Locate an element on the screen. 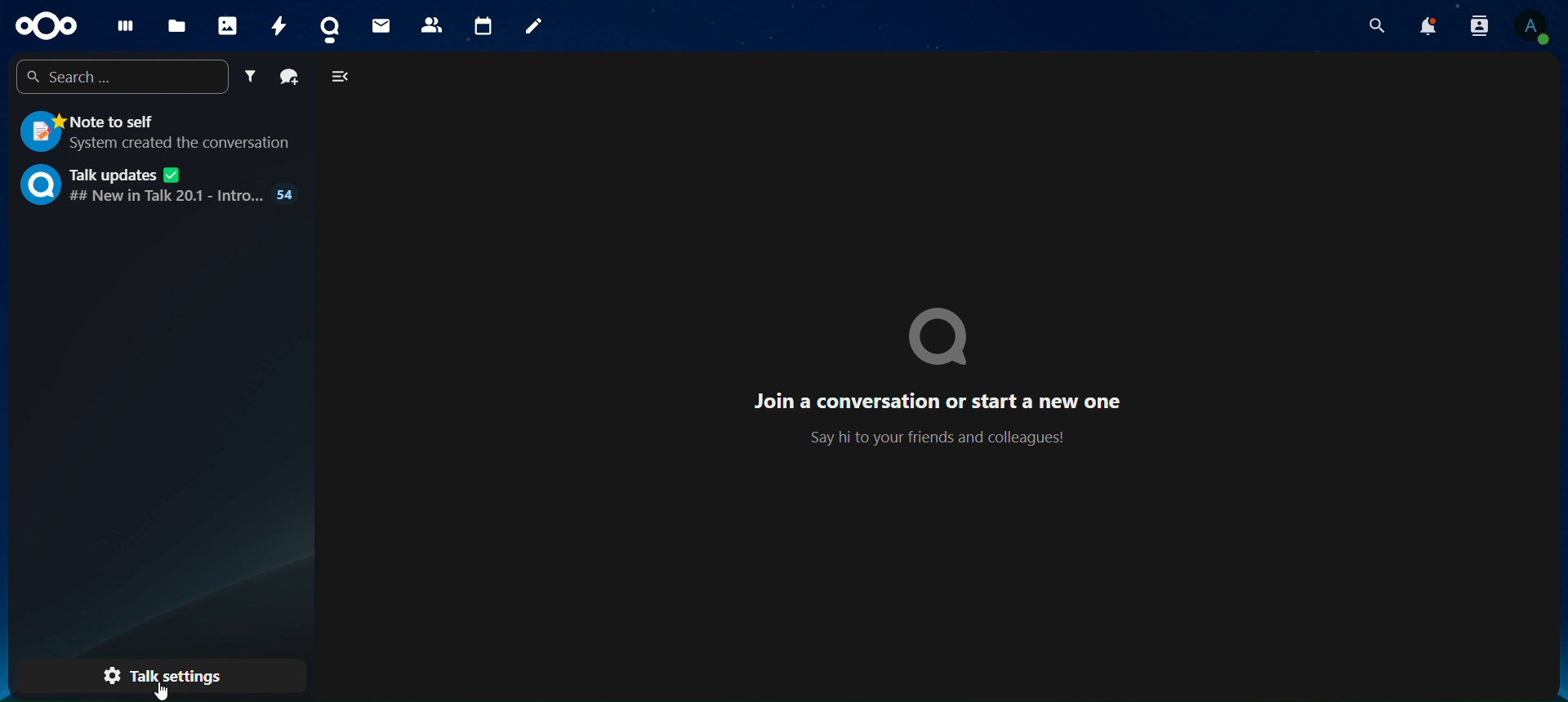 This screenshot has width=1568, height=702. close navigation is located at coordinates (342, 76).